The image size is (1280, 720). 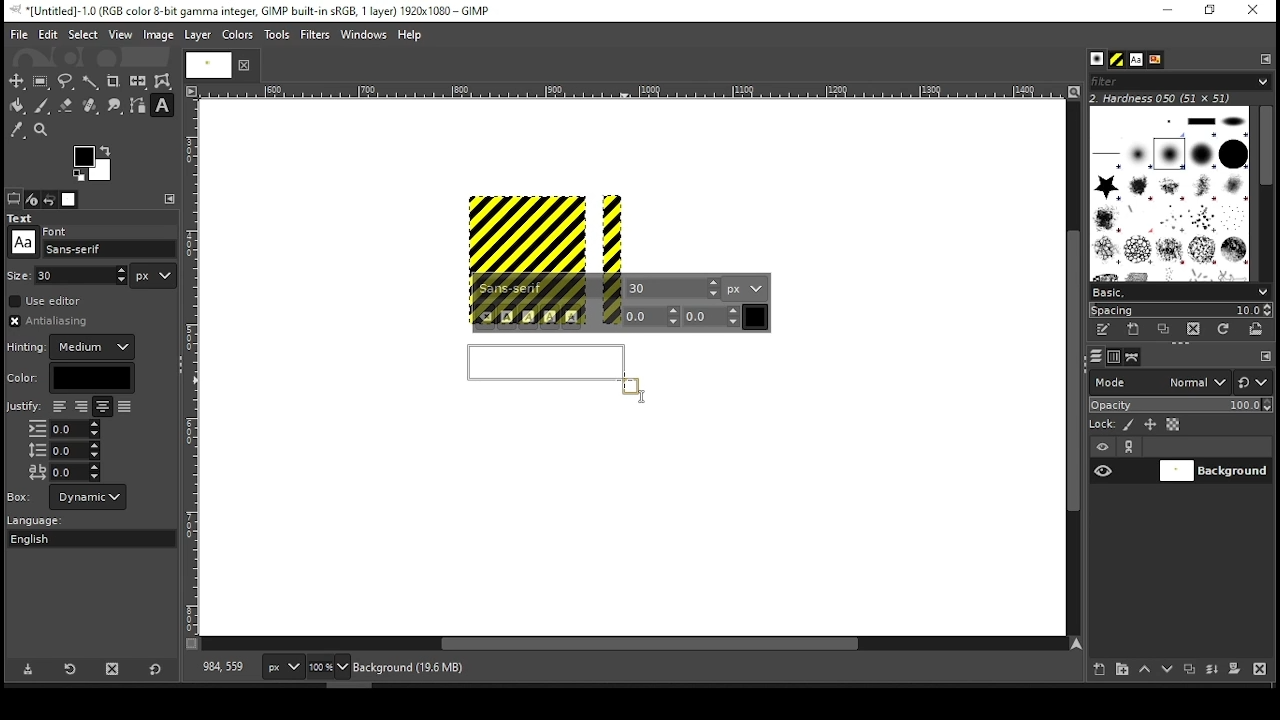 I want to click on , so click(x=644, y=399).